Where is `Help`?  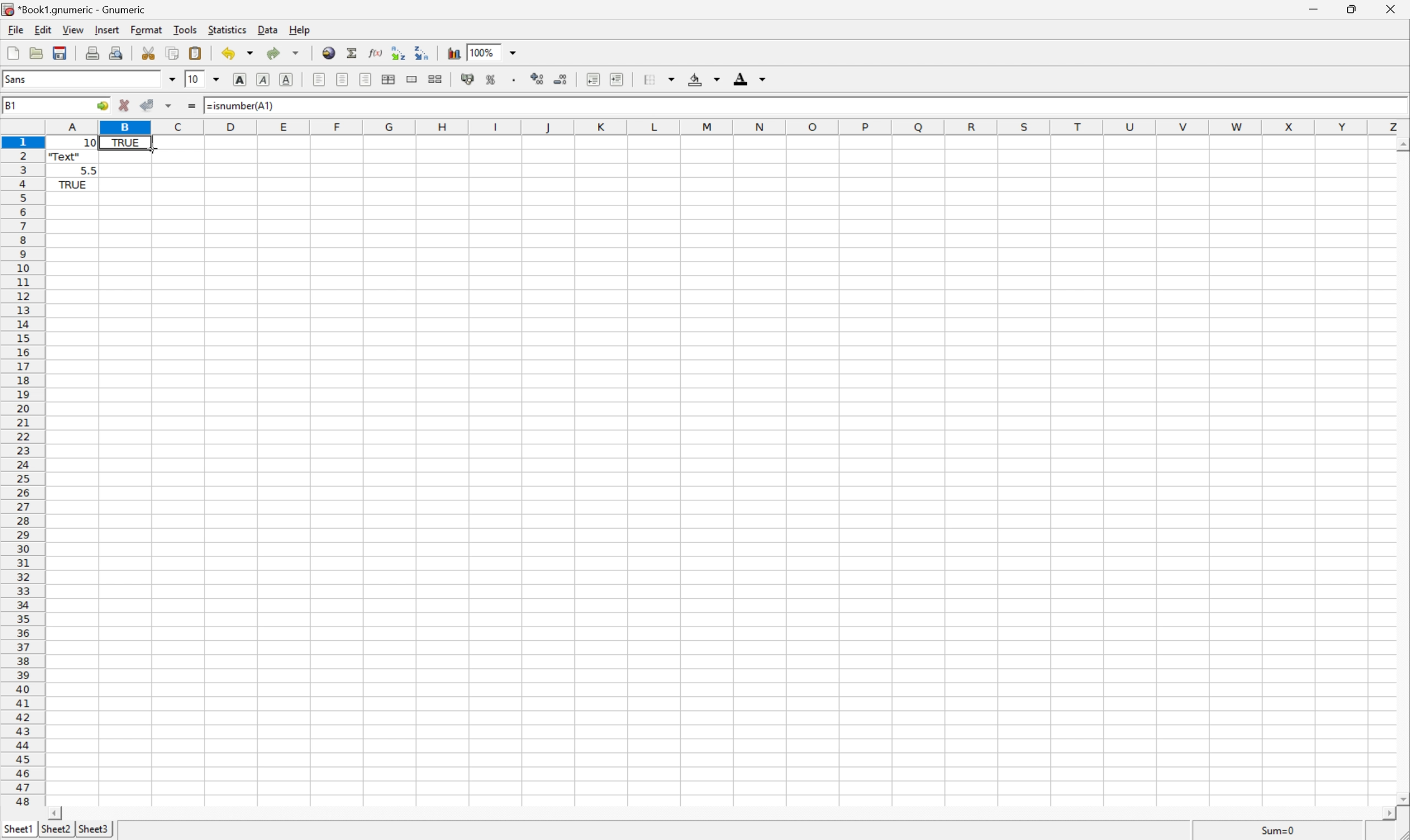 Help is located at coordinates (300, 31).